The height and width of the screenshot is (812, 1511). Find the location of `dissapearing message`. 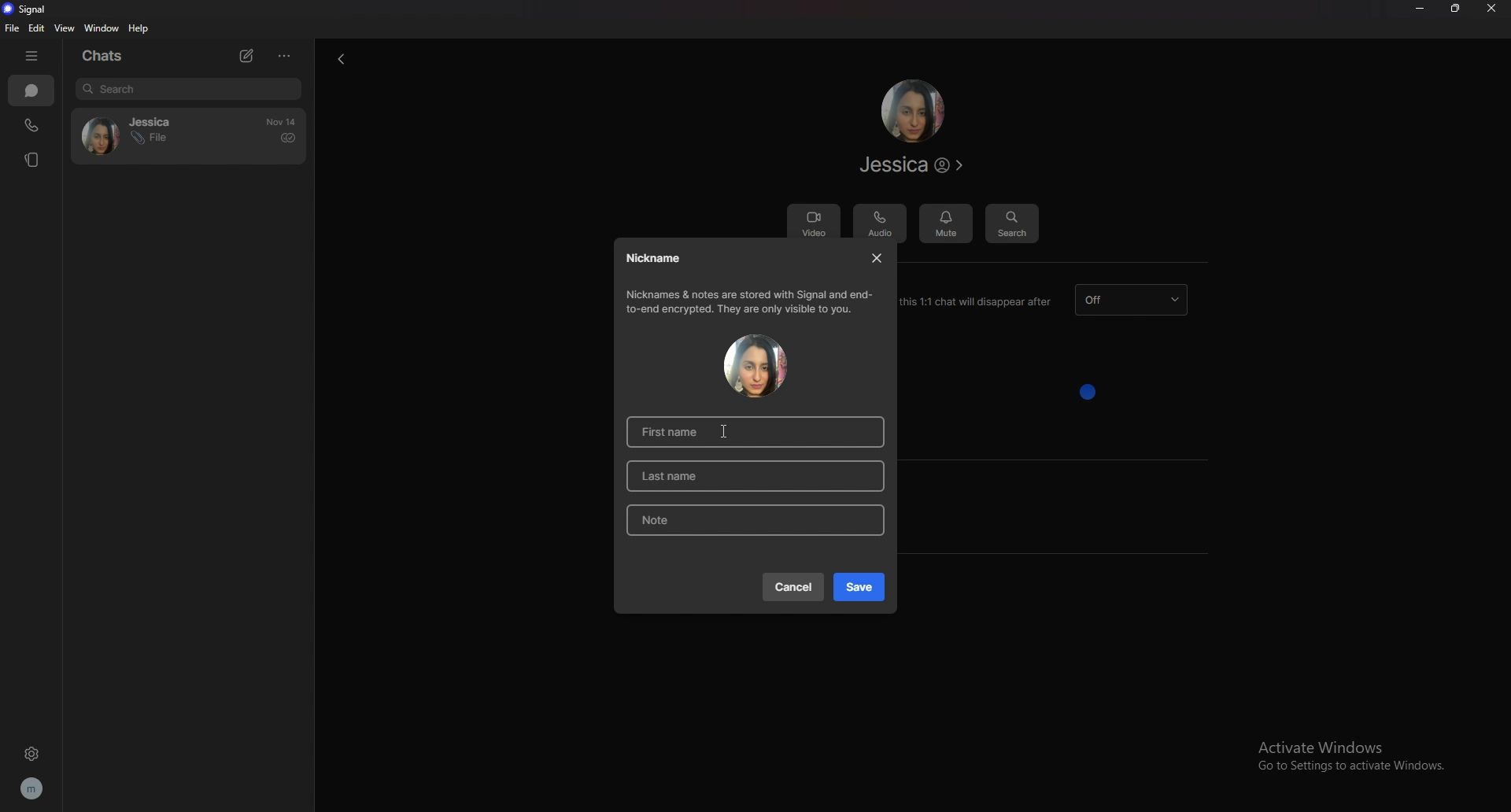

dissapearing message is located at coordinates (1134, 300).